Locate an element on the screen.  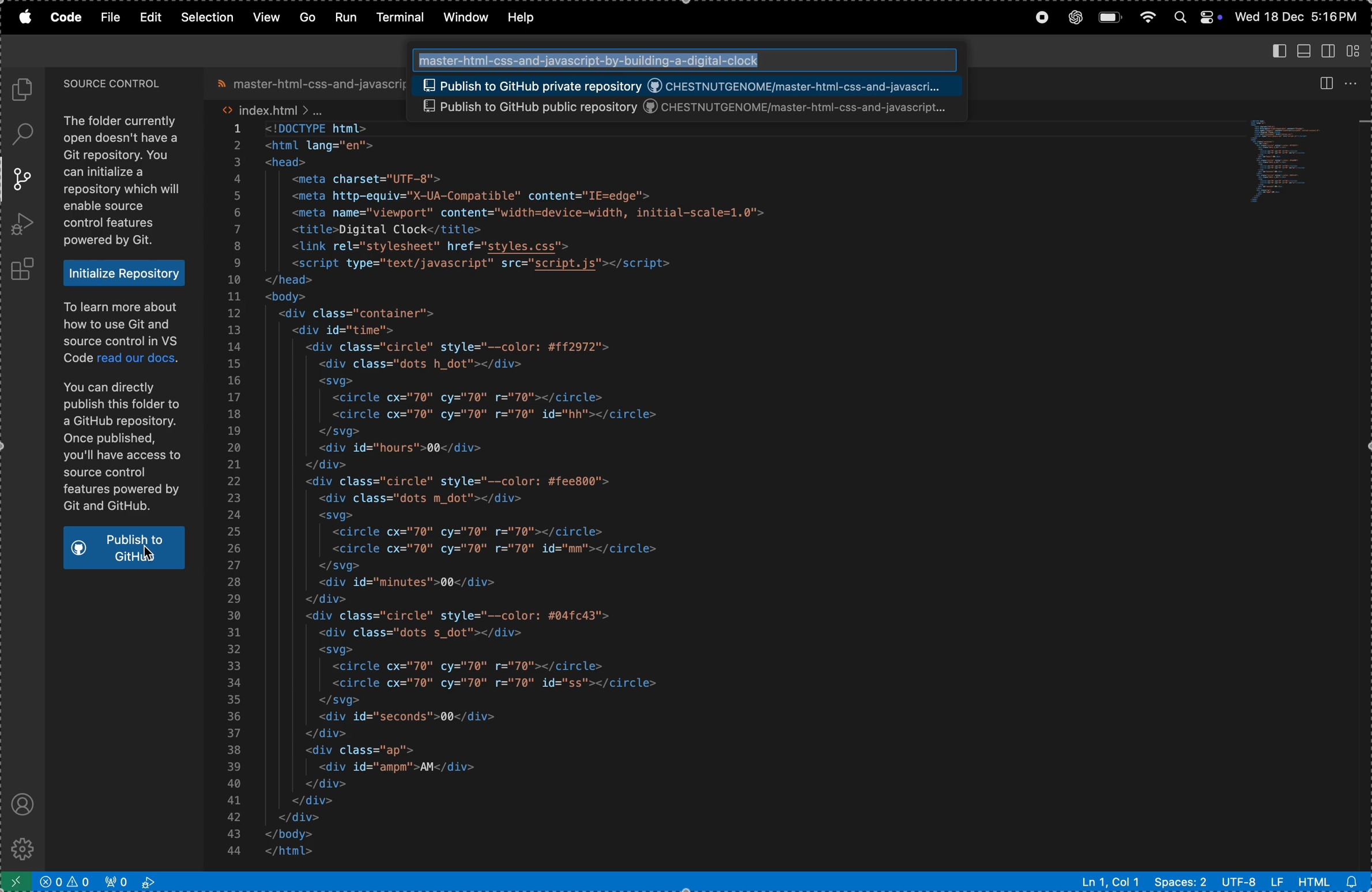
<html lang="en"> is located at coordinates (322, 146).